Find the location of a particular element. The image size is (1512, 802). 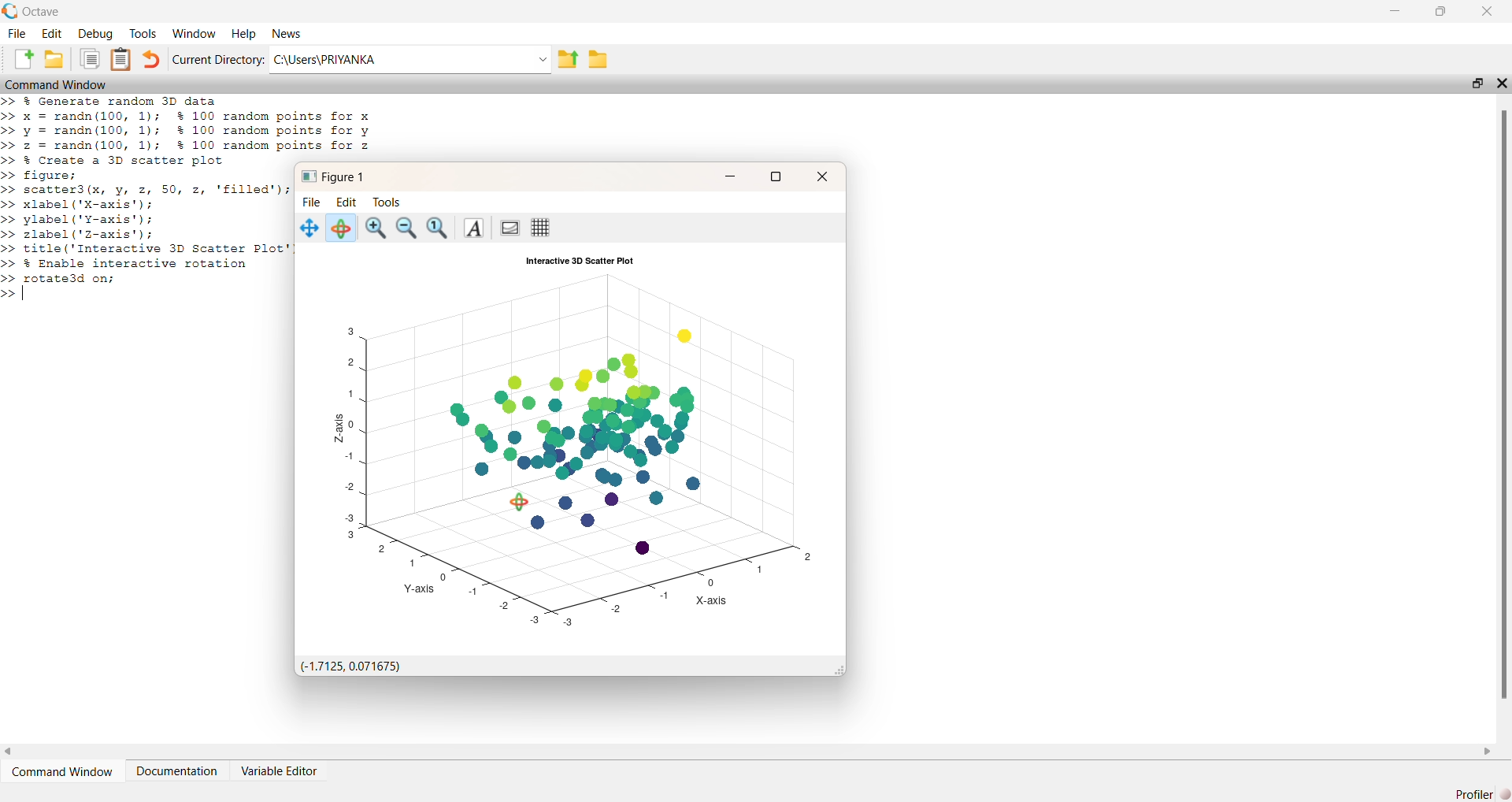

close is located at coordinates (1502, 83).